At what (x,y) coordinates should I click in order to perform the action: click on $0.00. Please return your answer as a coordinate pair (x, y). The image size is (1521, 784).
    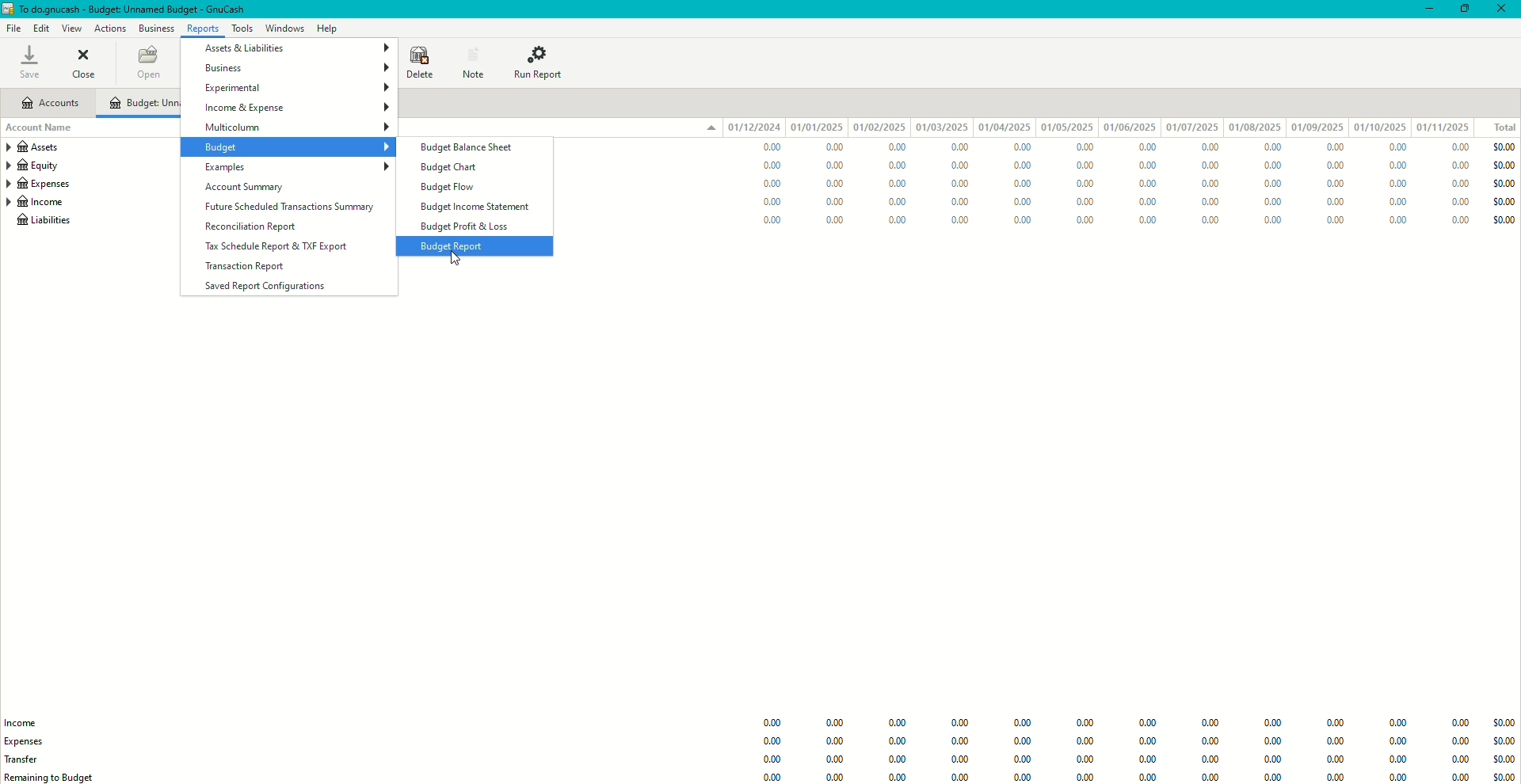
    Looking at the image, I should click on (1502, 163).